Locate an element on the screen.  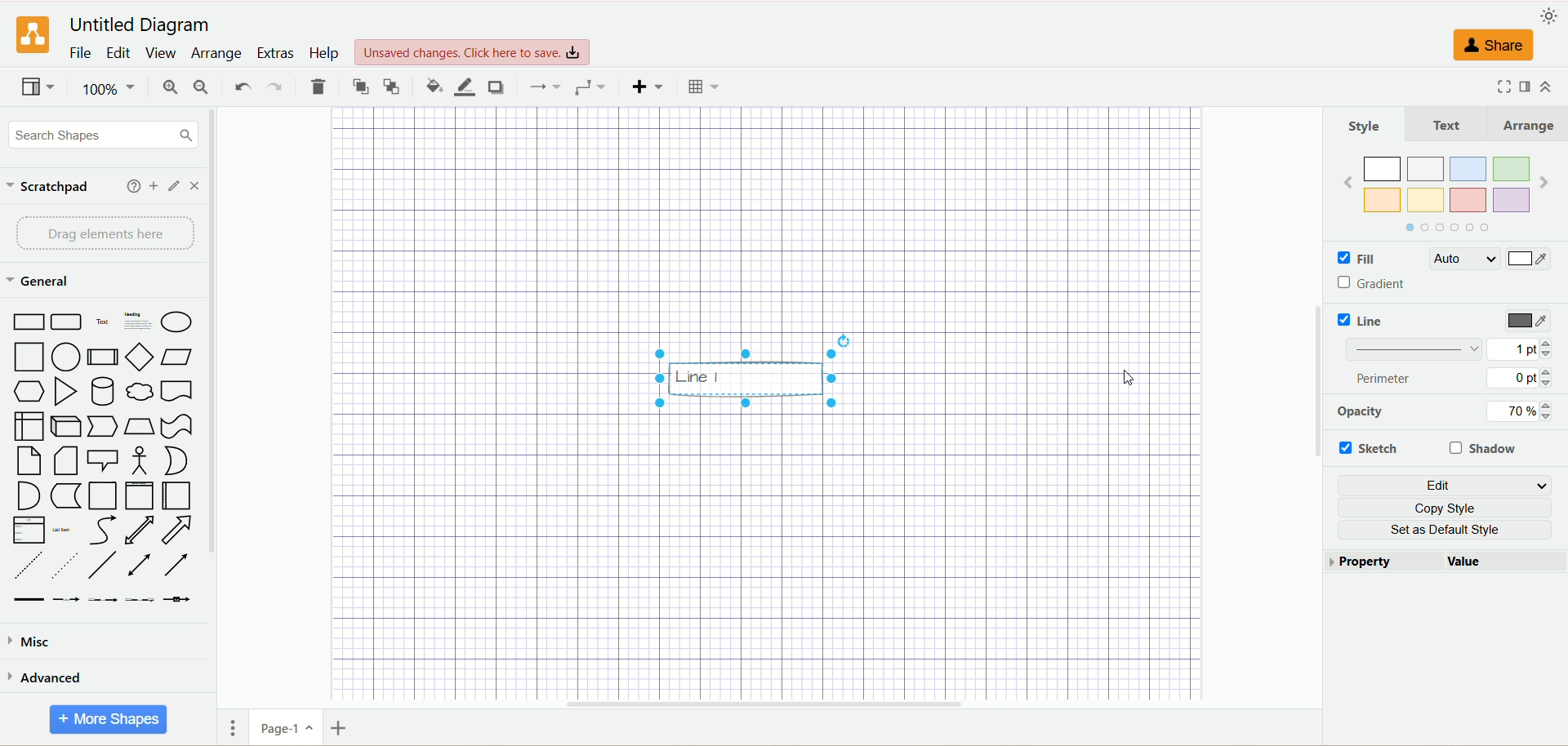
fill color is located at coordinates (428, 84).